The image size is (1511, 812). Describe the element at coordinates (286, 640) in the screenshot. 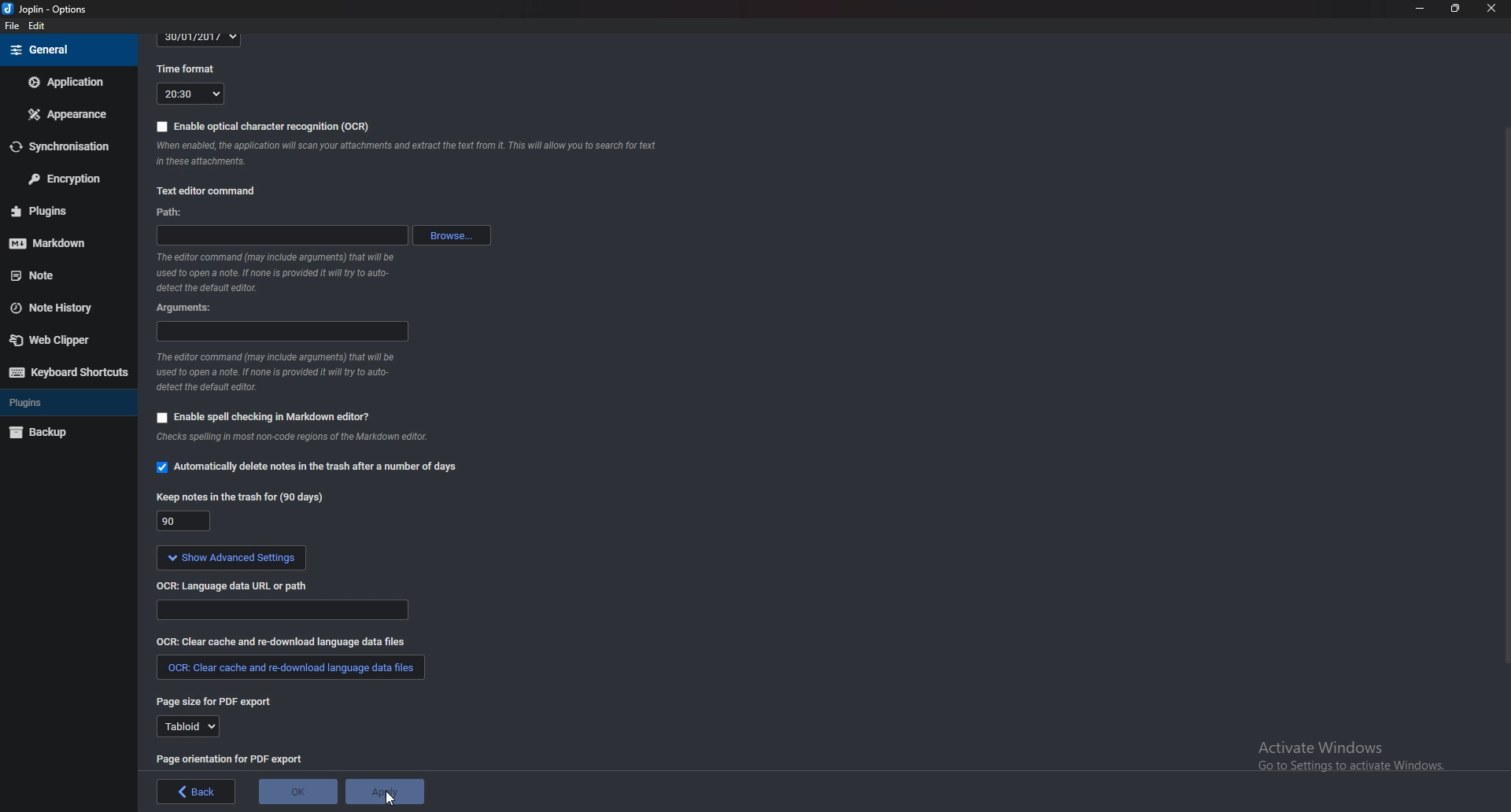

I see `Clear cache and redownload Language data` at that location.